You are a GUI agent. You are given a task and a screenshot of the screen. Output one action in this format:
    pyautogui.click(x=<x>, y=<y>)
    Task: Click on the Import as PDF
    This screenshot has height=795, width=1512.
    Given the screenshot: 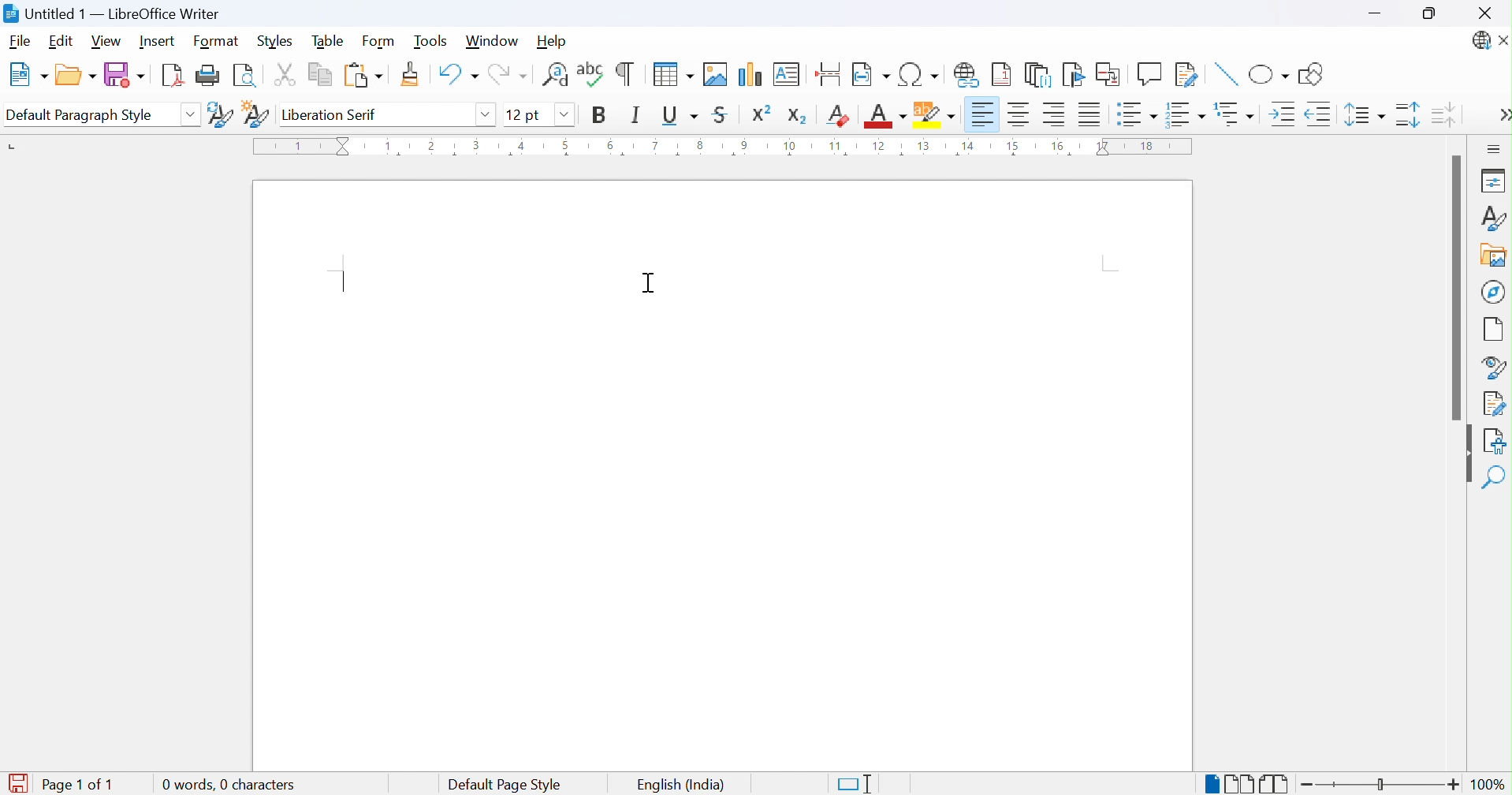 What is the action you would take?
    pyautogui.click(x=175, y=74)
    